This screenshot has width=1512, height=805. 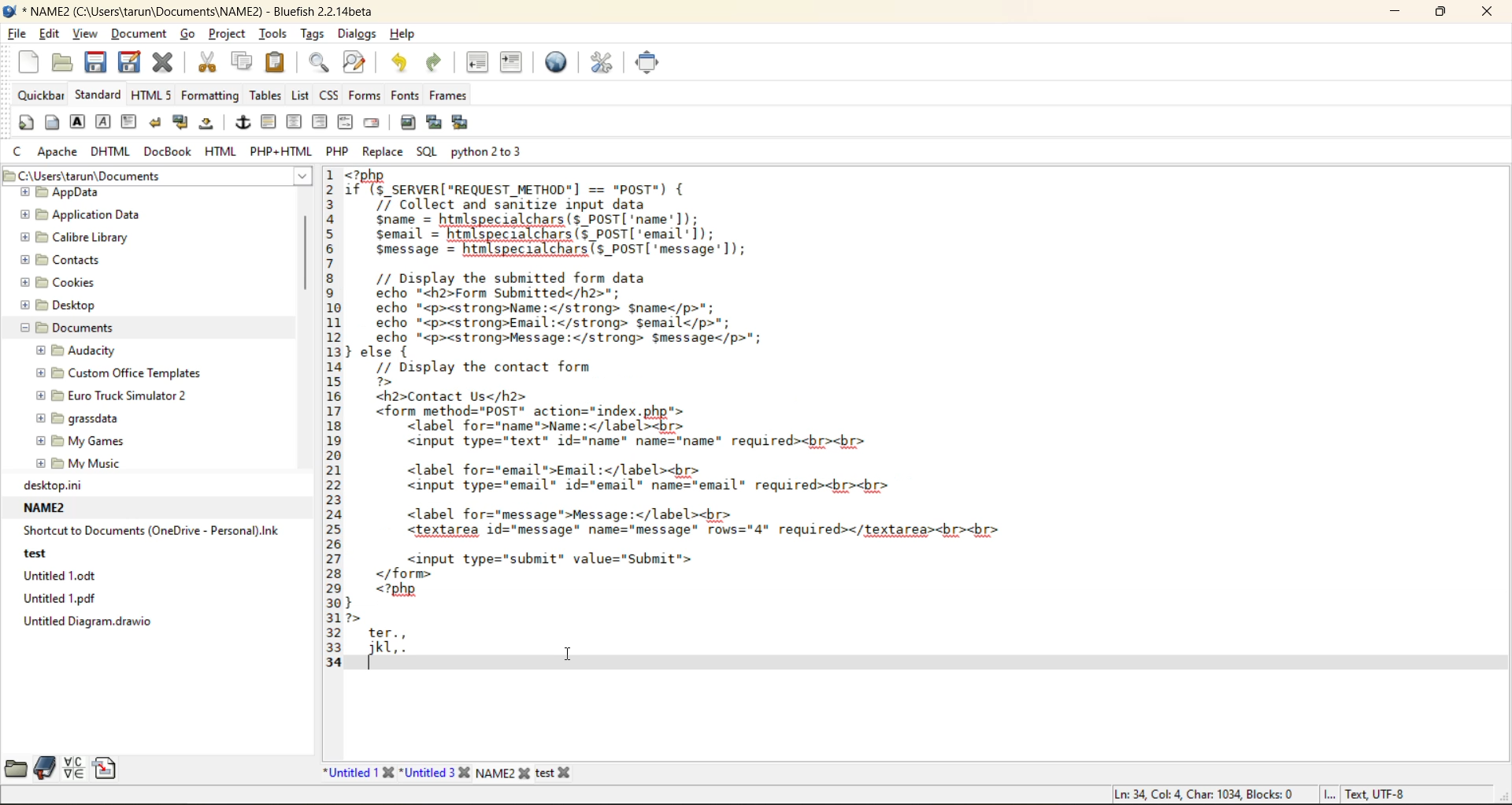 What do you see at coordinates (492, 150) in the screenshot?
I see `python 2 to 3` at bounding box center [492, 150].